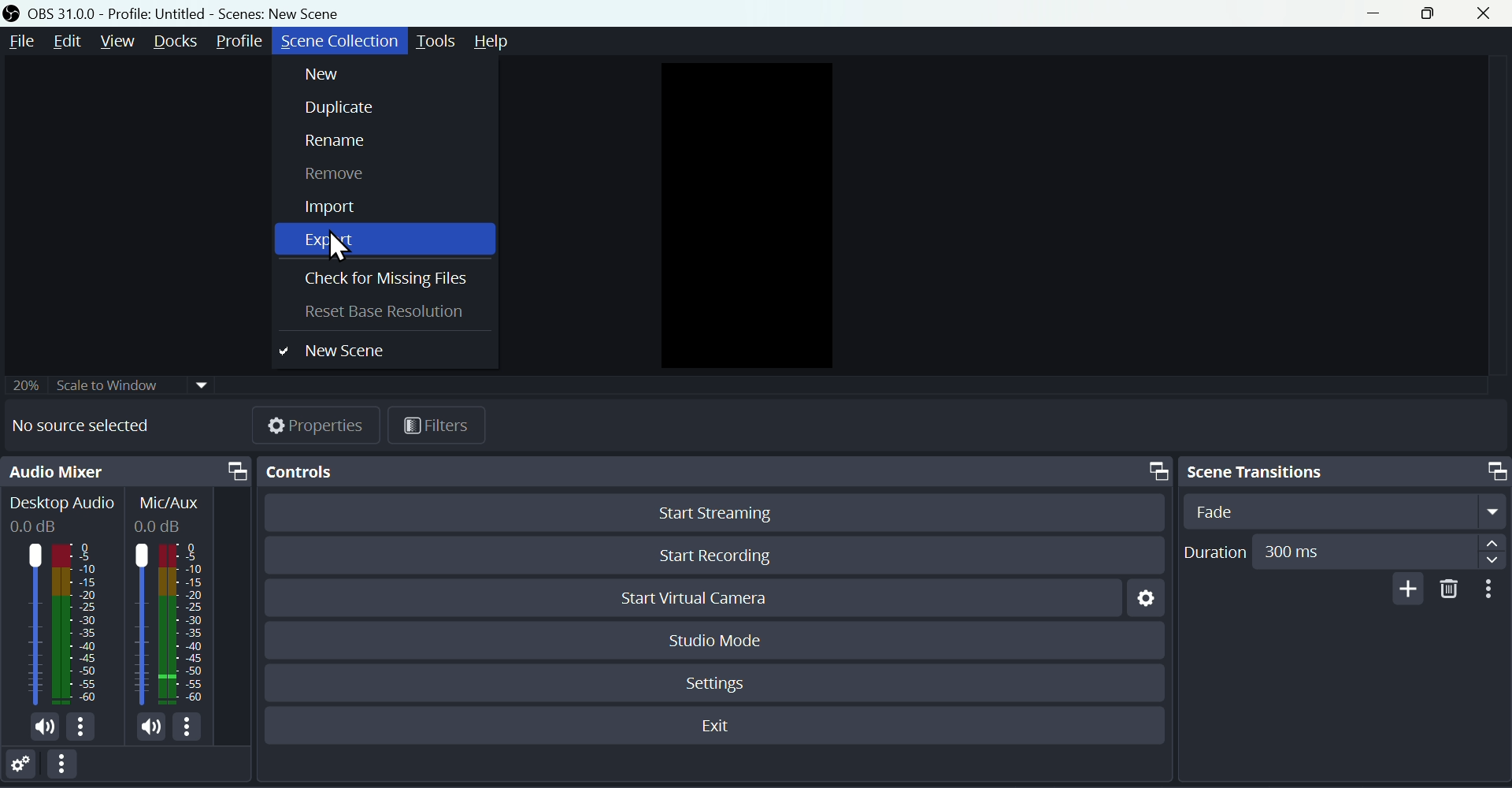 This screenshot has height=788, width=1512. What do you see at coordinates (330, 239) in the screenshot?
I see `Export` at bounding box center [330, 239].